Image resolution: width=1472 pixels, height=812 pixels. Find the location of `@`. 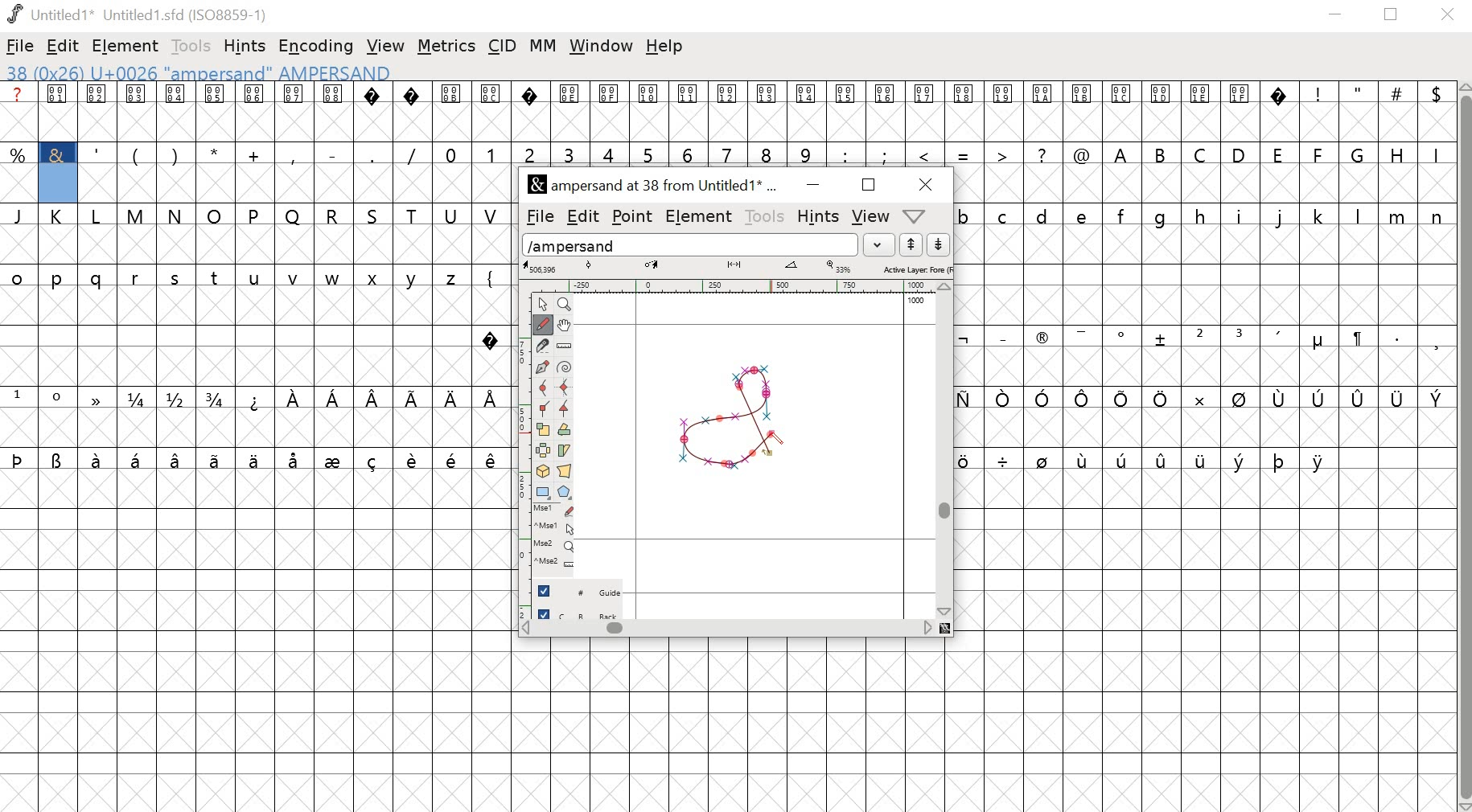

@ is located at coordinates (1082, 153).